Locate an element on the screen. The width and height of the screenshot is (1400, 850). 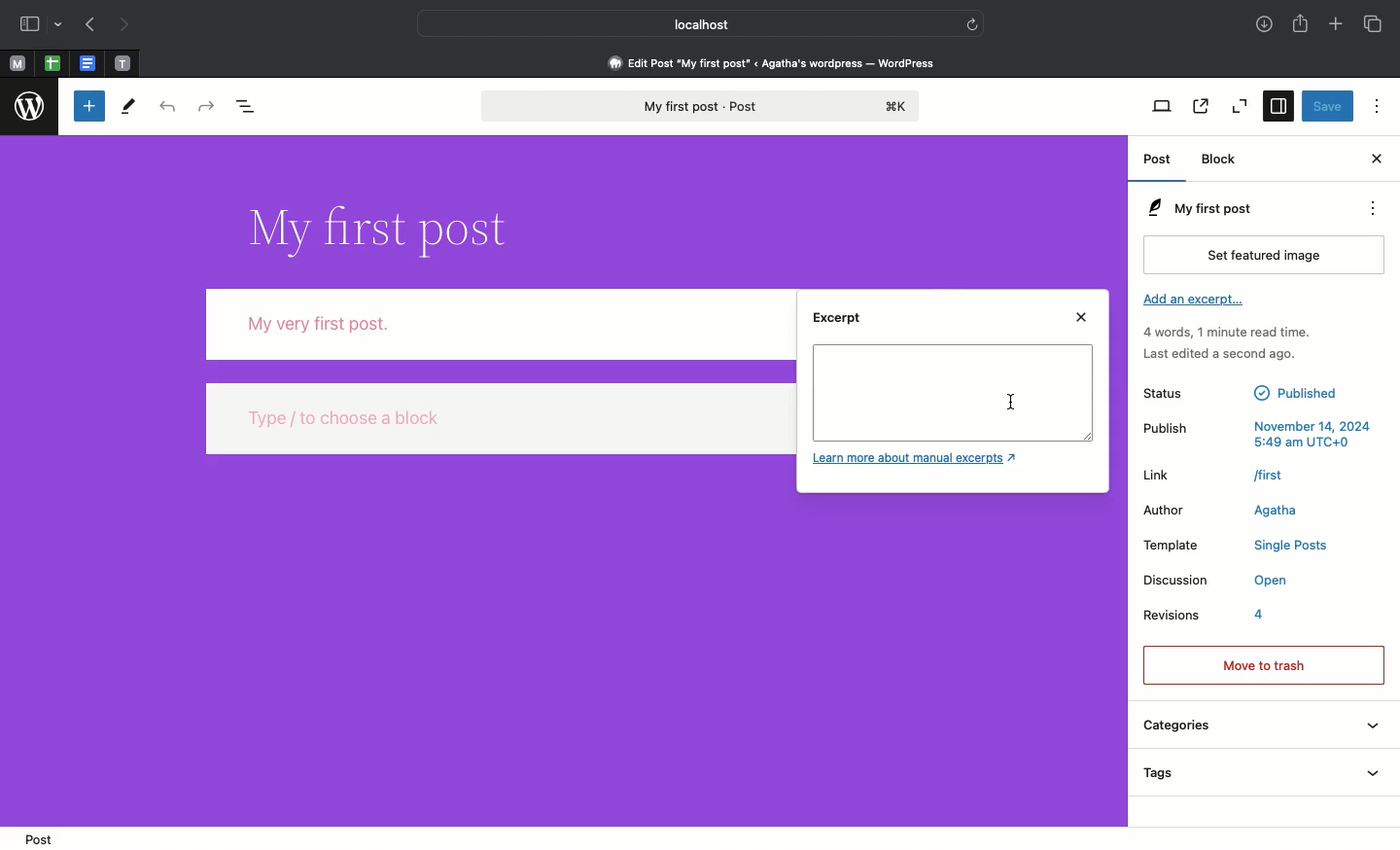
My very first post. is located at coordinates (498, 324).